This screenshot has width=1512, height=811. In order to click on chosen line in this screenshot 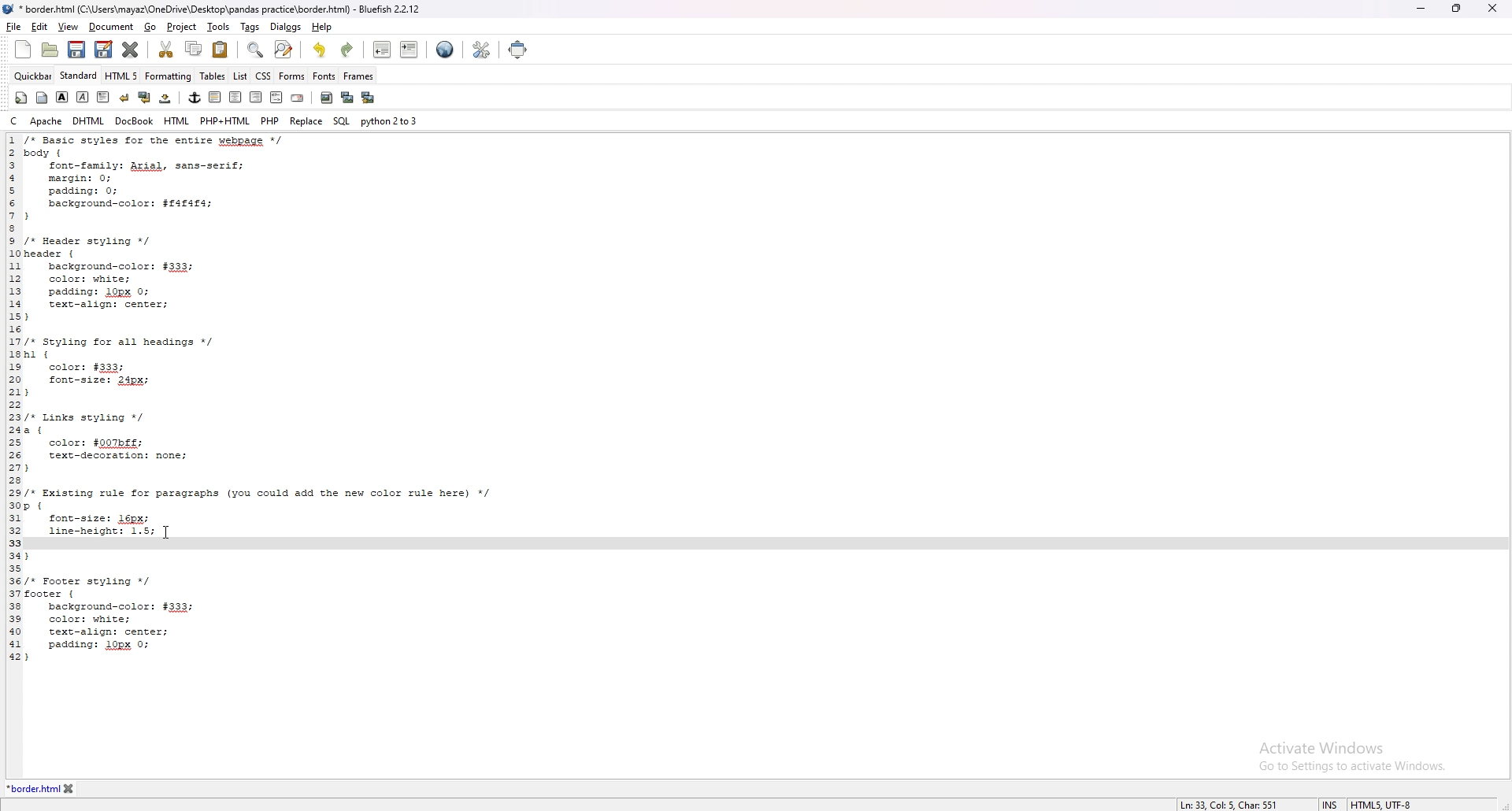, I will do `click(113, 531)`.